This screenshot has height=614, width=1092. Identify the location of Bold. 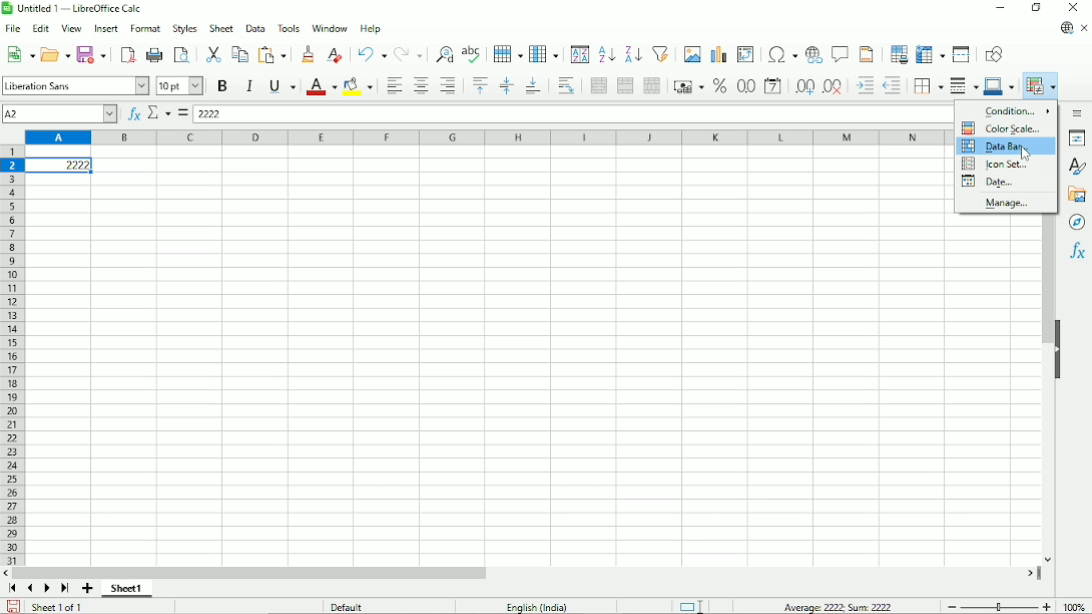
(223, 86).